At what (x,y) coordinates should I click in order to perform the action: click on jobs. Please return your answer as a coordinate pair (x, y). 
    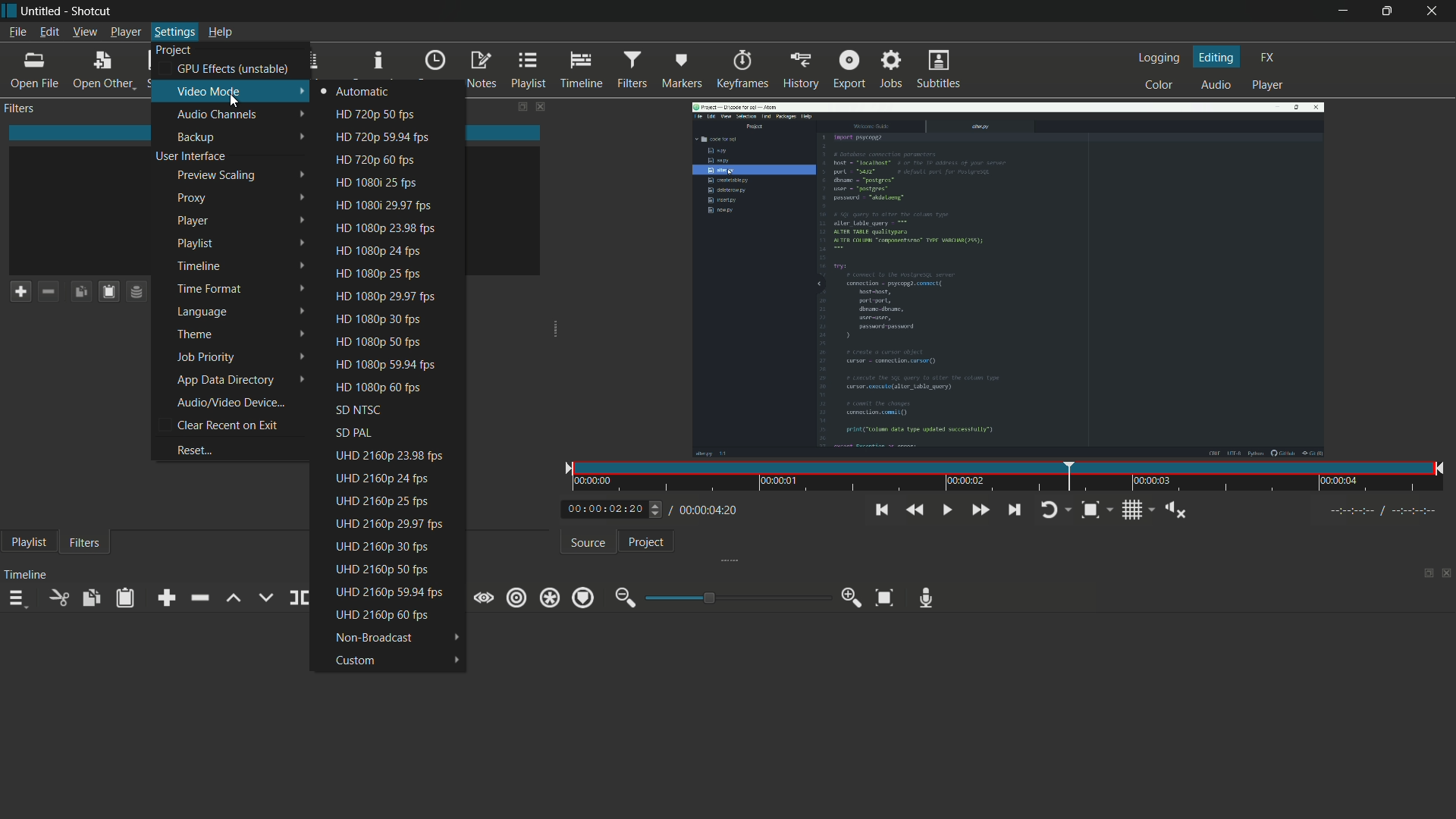
    Looking at the image, I should click on (893, 70).